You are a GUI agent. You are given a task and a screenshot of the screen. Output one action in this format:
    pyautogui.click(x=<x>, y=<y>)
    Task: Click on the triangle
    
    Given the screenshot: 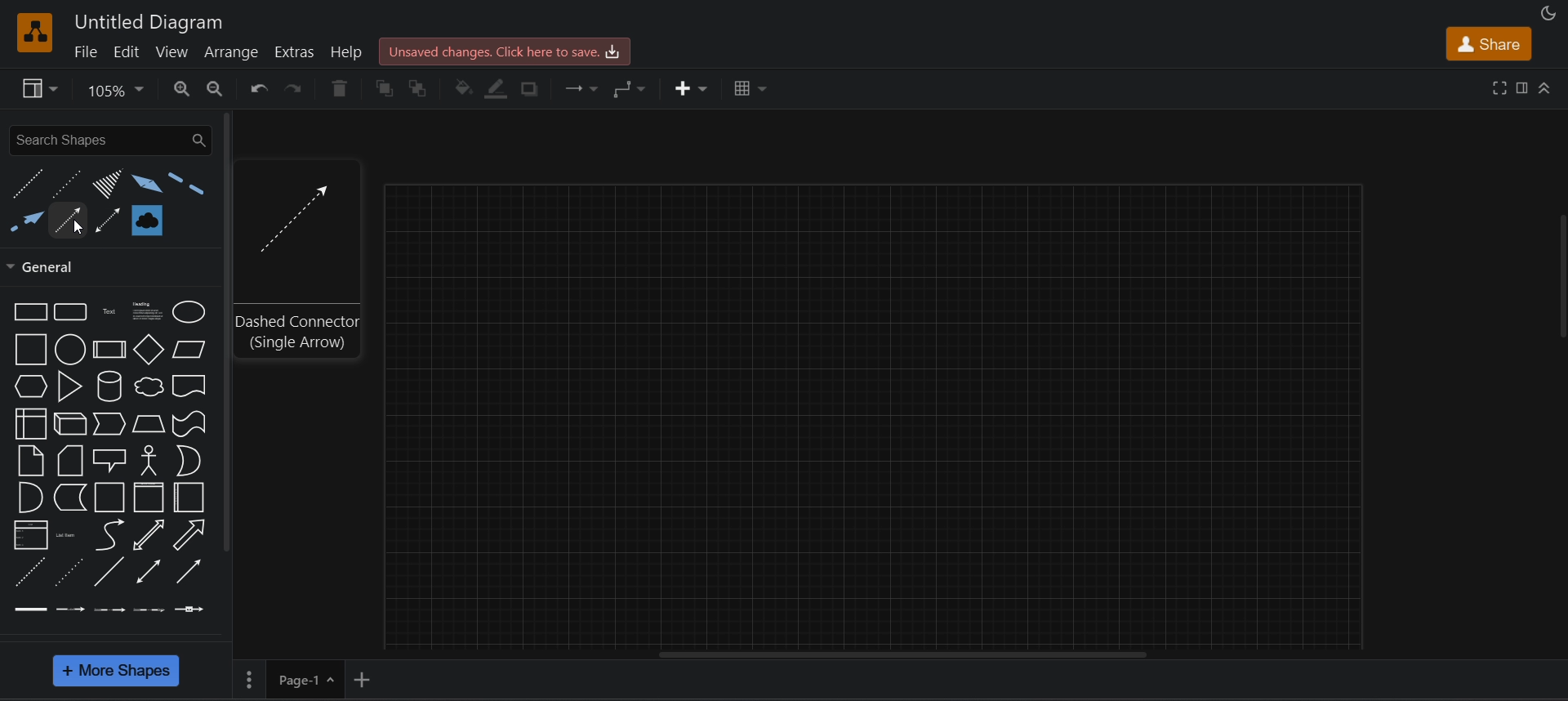 What is the action you would take?
    pyautogui.click(x=69, y=386)
    